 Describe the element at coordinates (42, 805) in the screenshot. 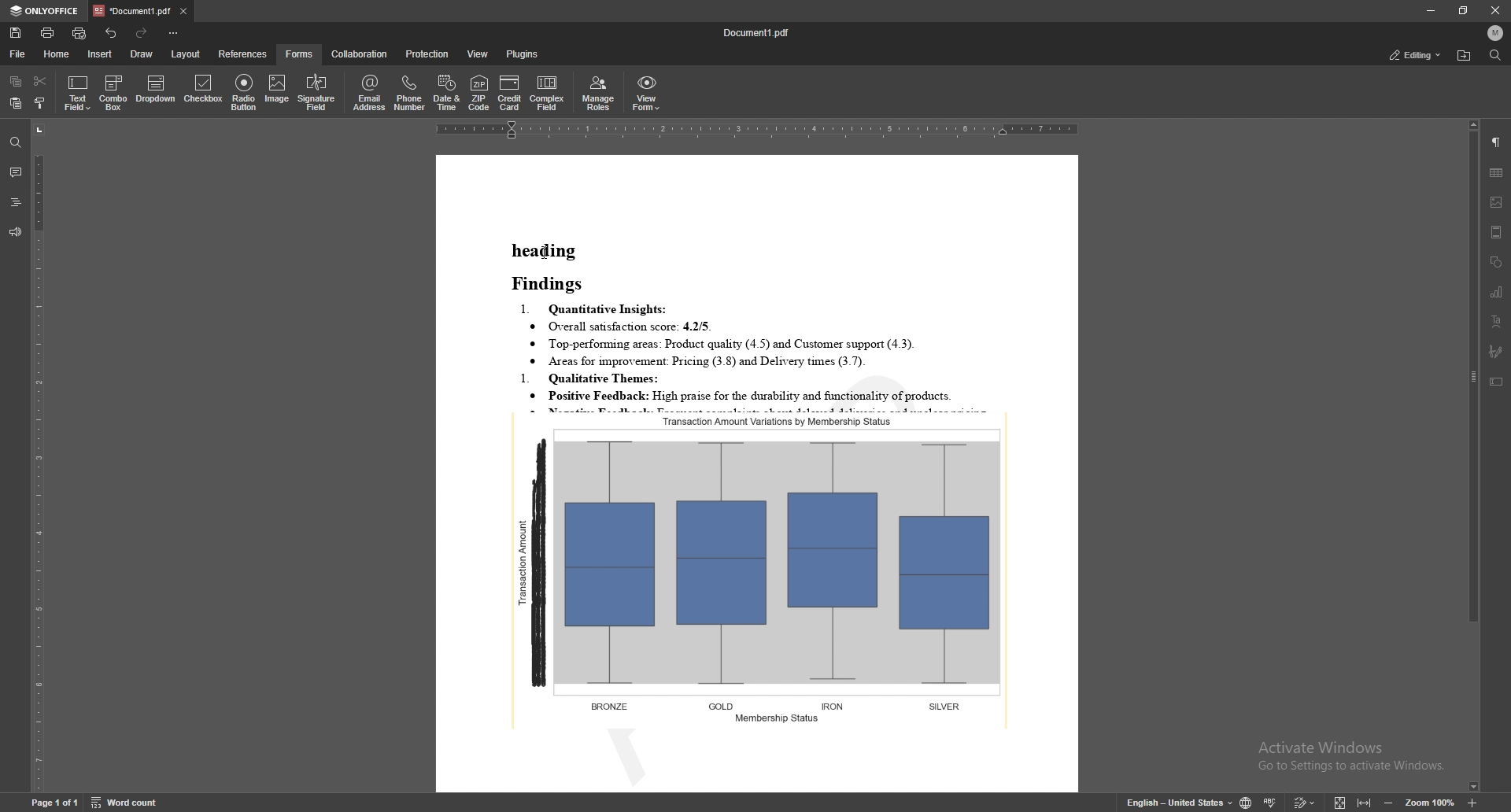

I see `Page 1 of 1` at that location.